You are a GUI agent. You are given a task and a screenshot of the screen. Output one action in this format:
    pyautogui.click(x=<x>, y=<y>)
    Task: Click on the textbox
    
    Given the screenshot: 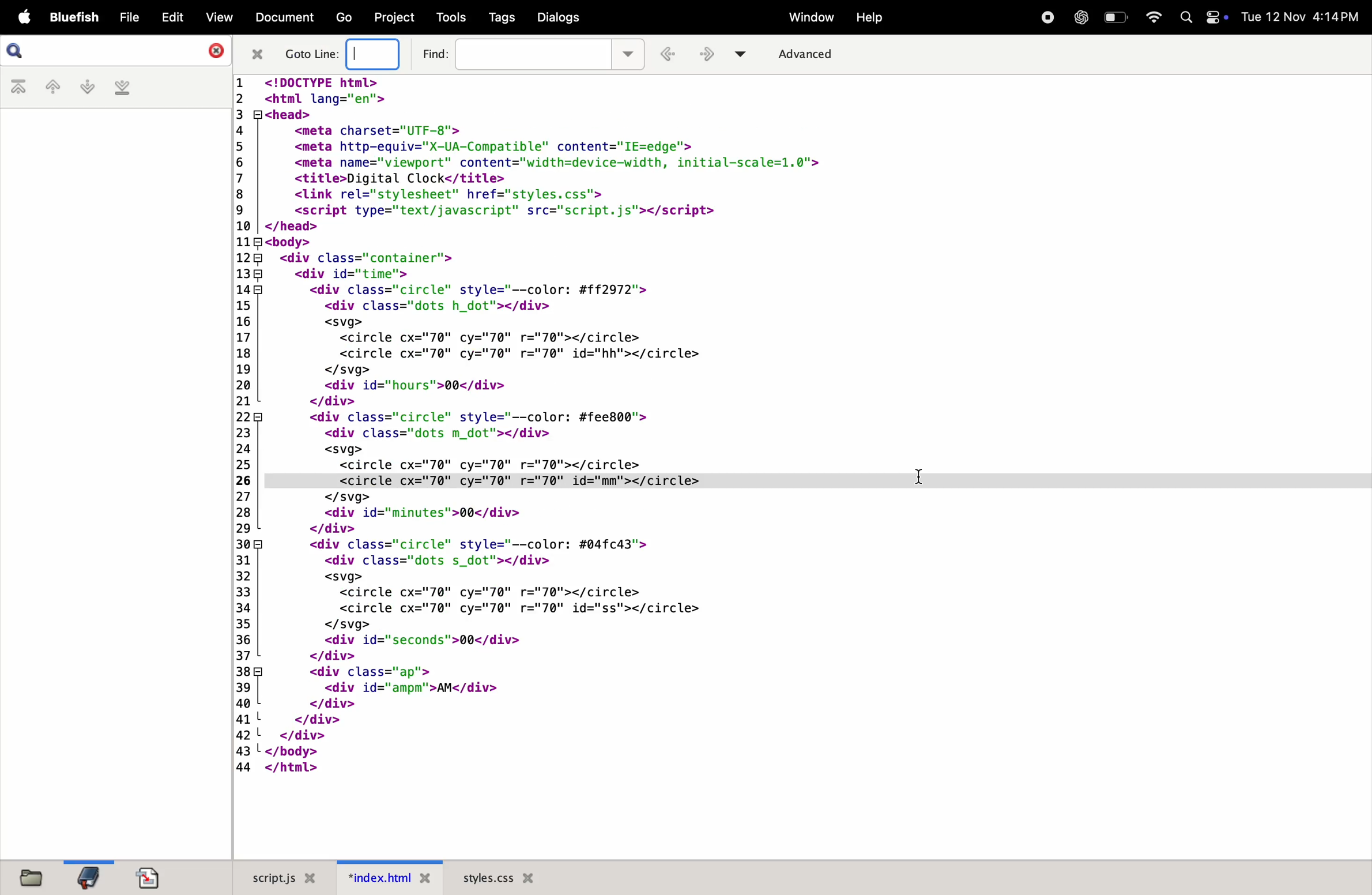 What is the action you would take?
    pyautogui.click(x=377, y=55)
    